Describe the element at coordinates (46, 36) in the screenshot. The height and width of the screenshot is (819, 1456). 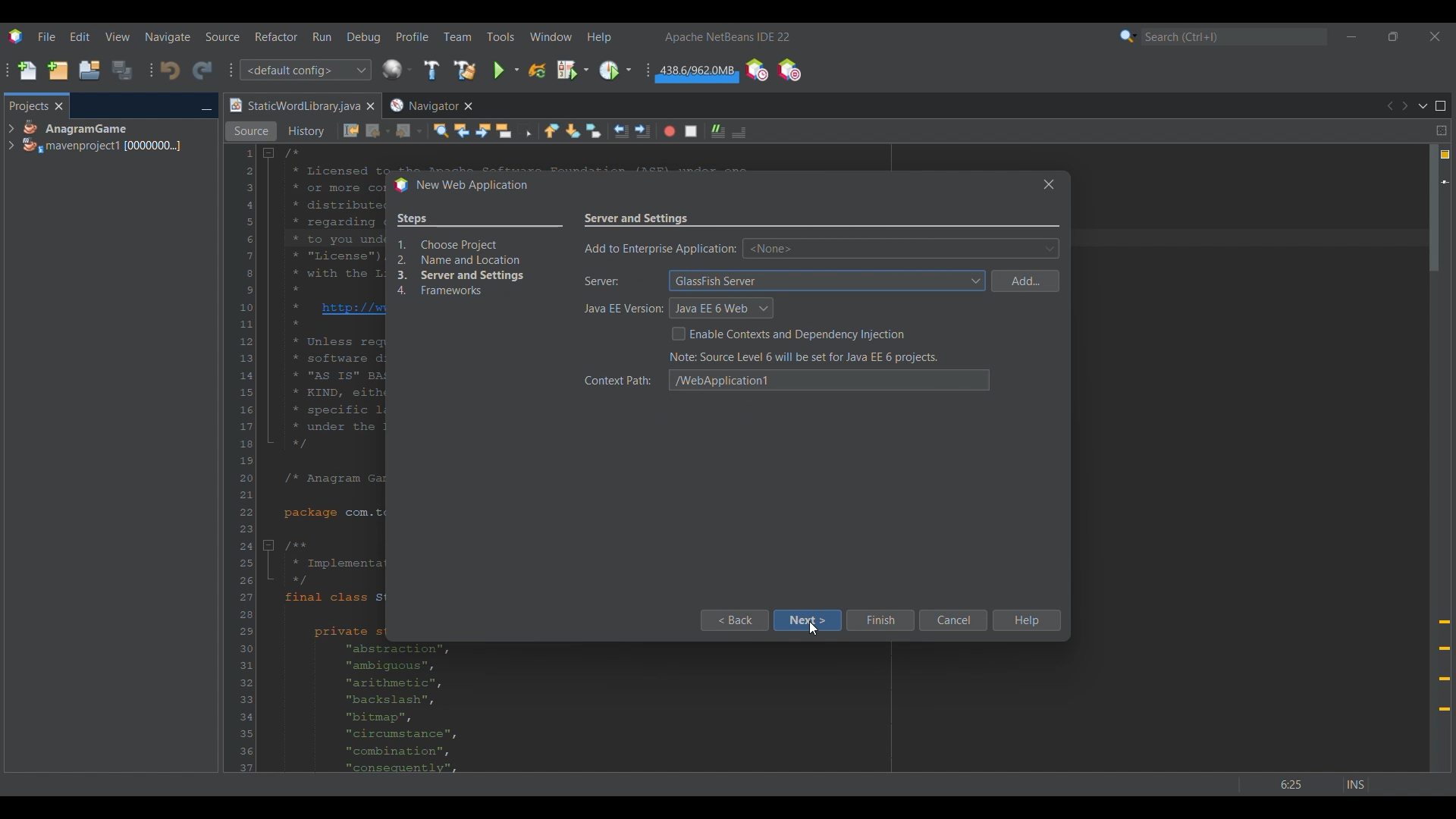
I see `File menu` at that location.